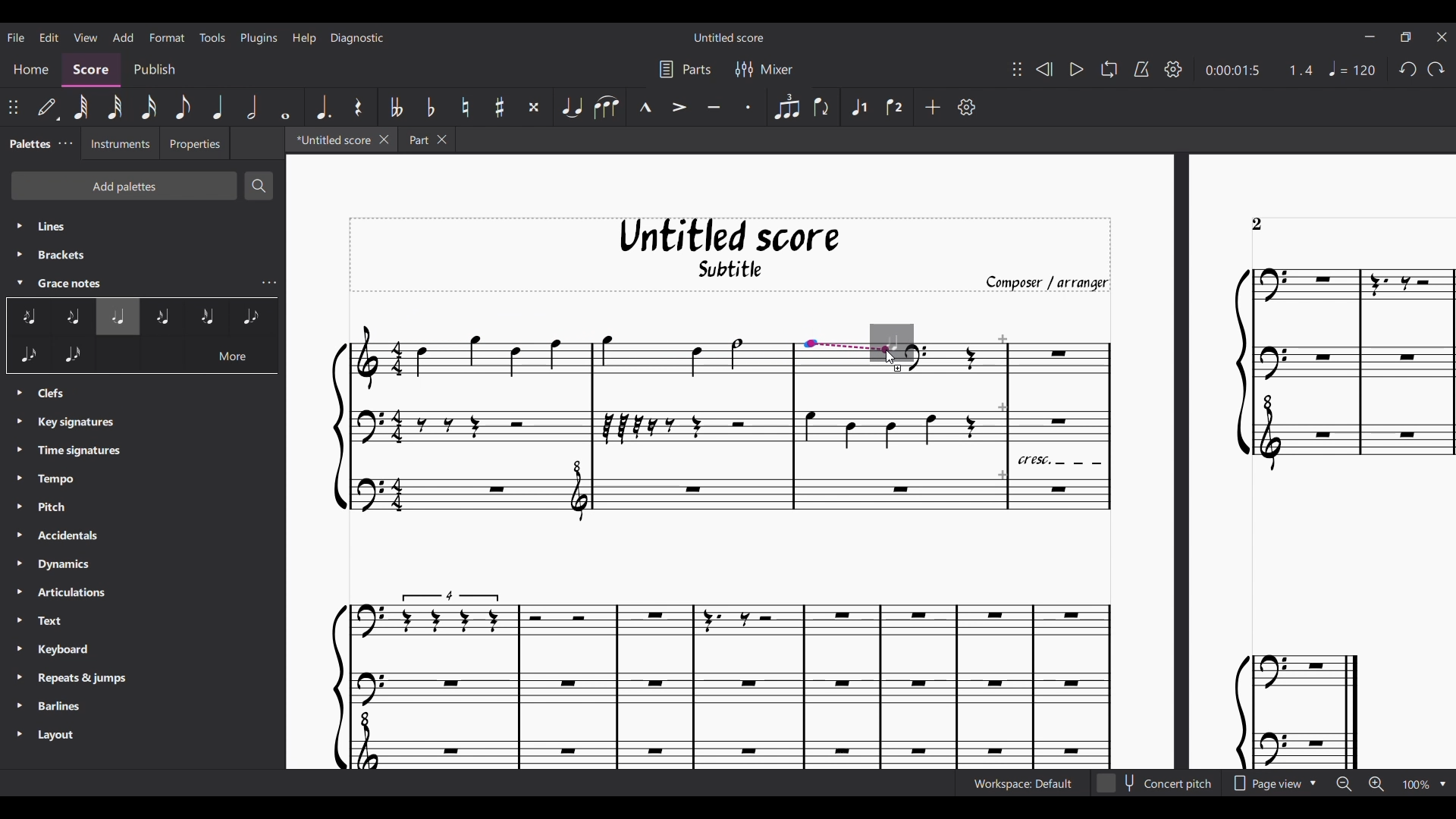 The width and height of the screenshot is (1456, 819). I want to click on Tuplet, so click(786, 107).